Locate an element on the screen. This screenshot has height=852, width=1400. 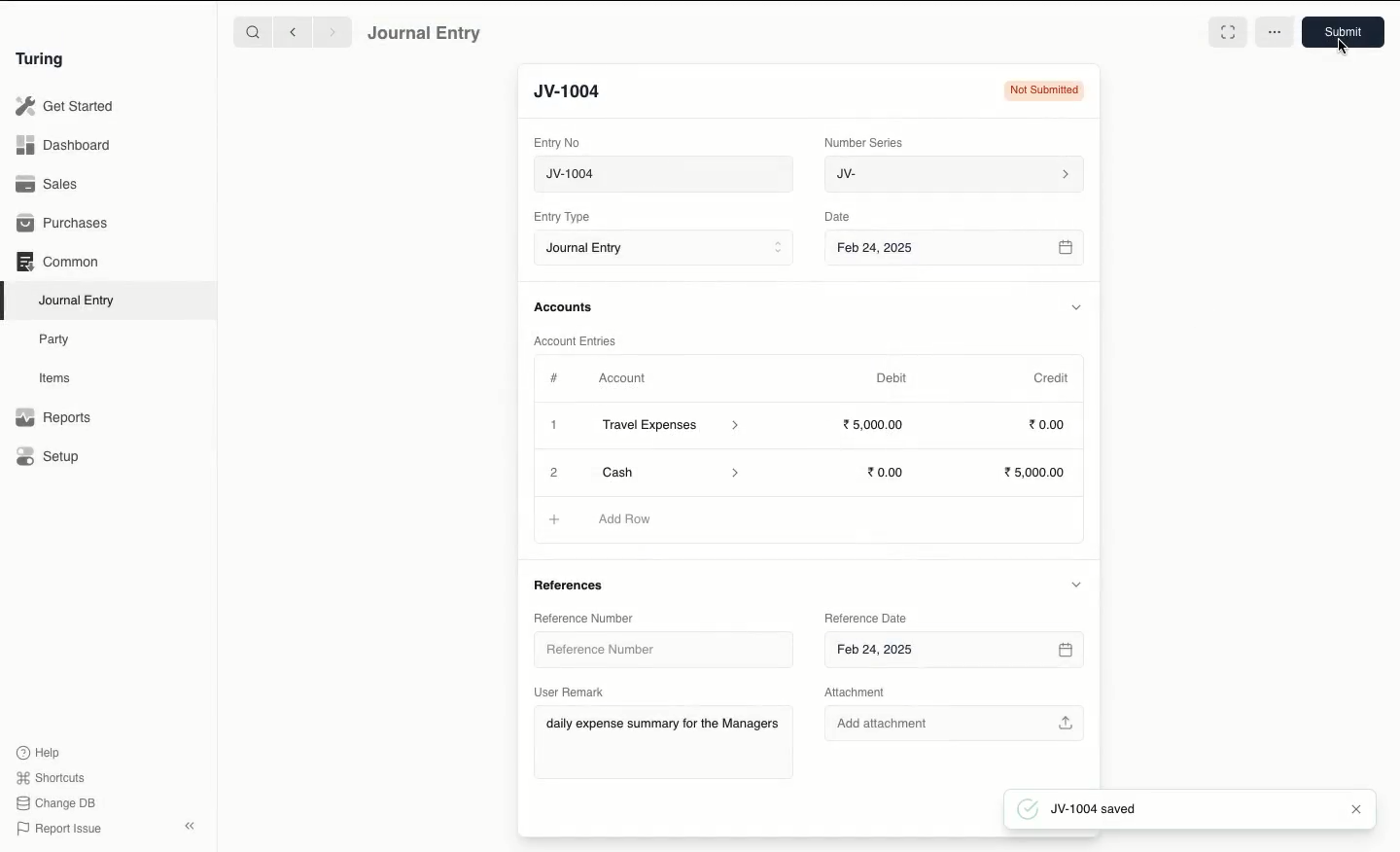
Party is located at coordinates (59, 340).